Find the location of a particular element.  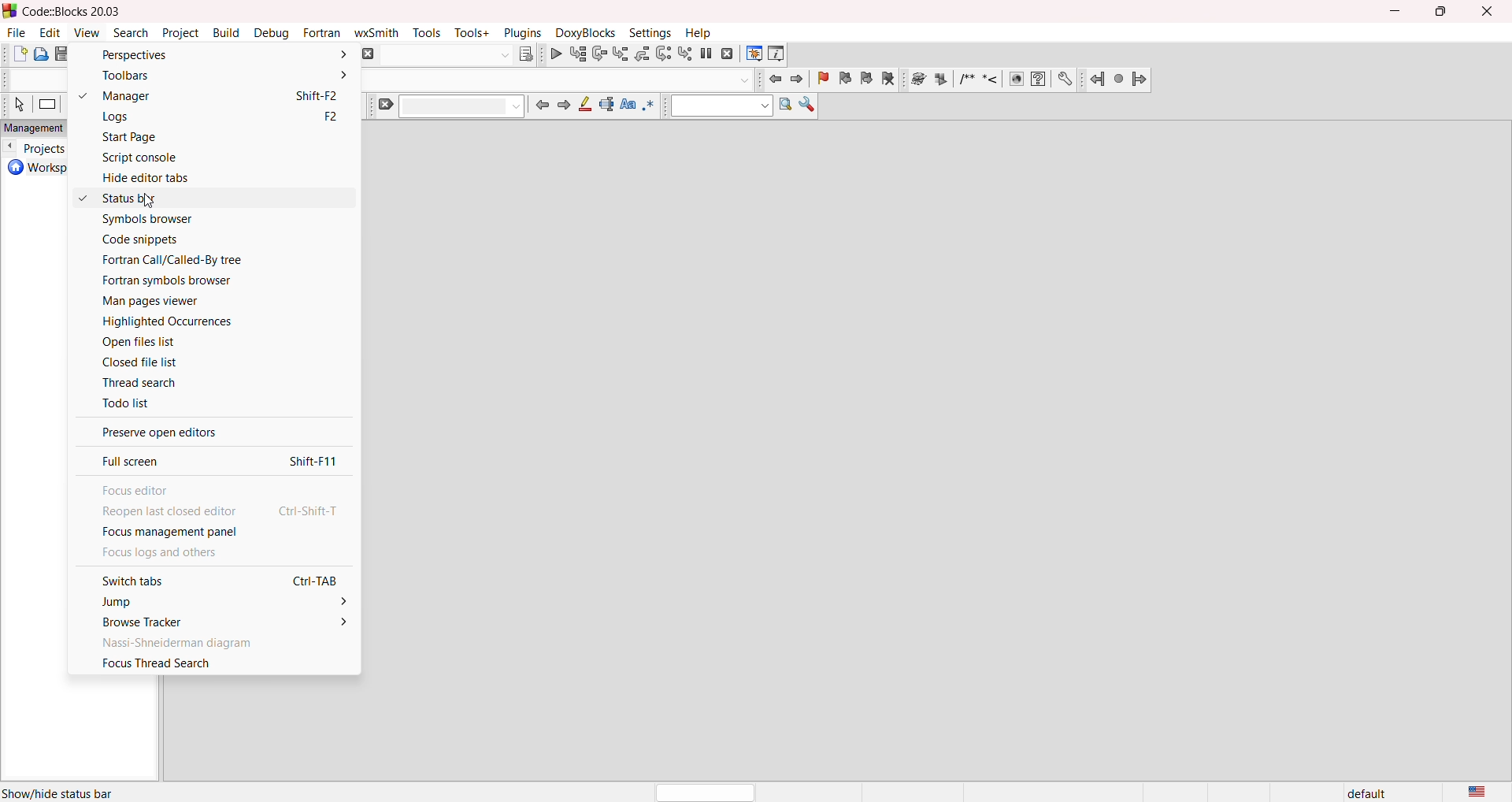

stop debugger is located at coordinates (728, 55).